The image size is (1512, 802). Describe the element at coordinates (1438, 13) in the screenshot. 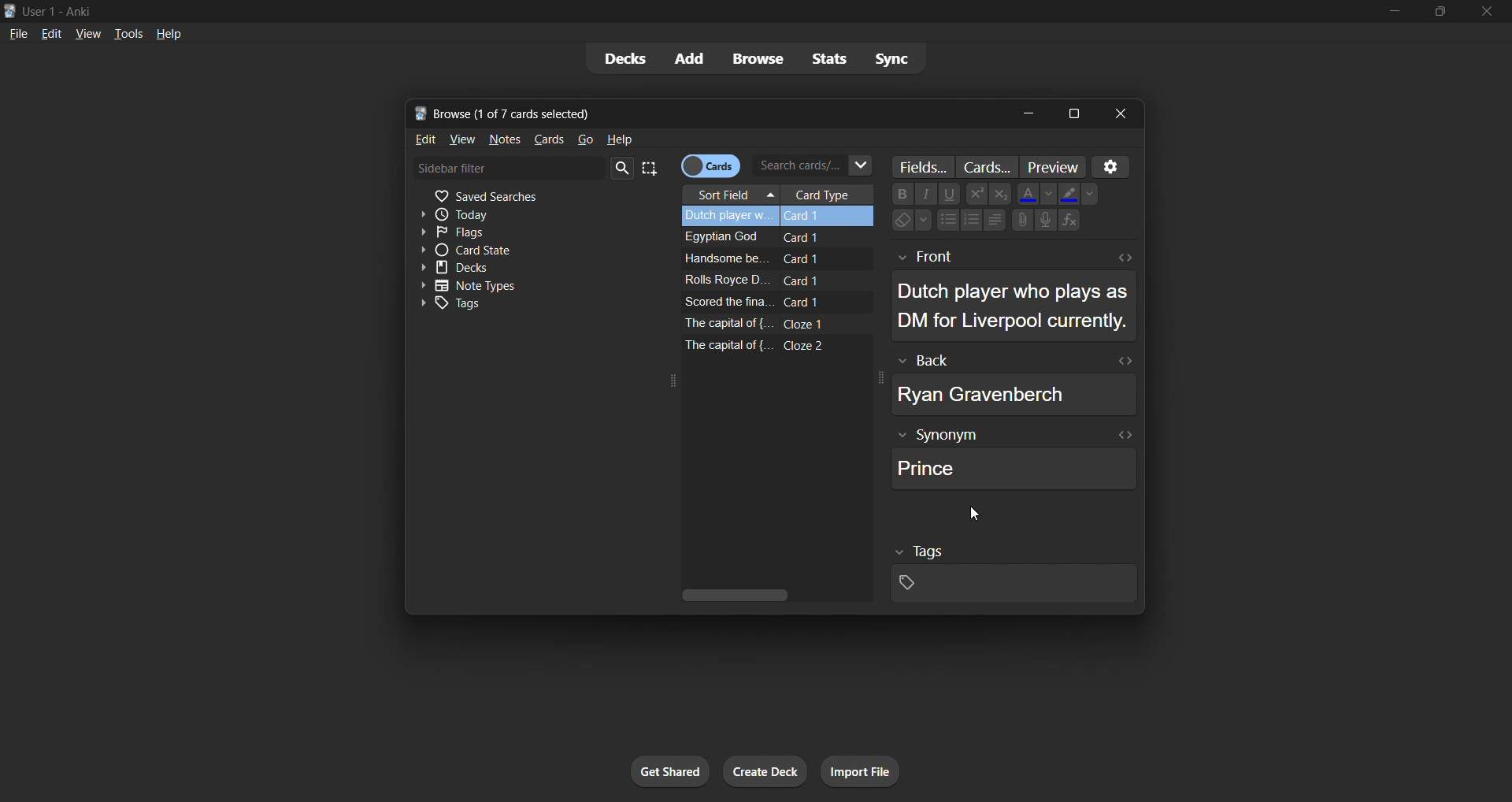

I see `maximize/restore` at that location.